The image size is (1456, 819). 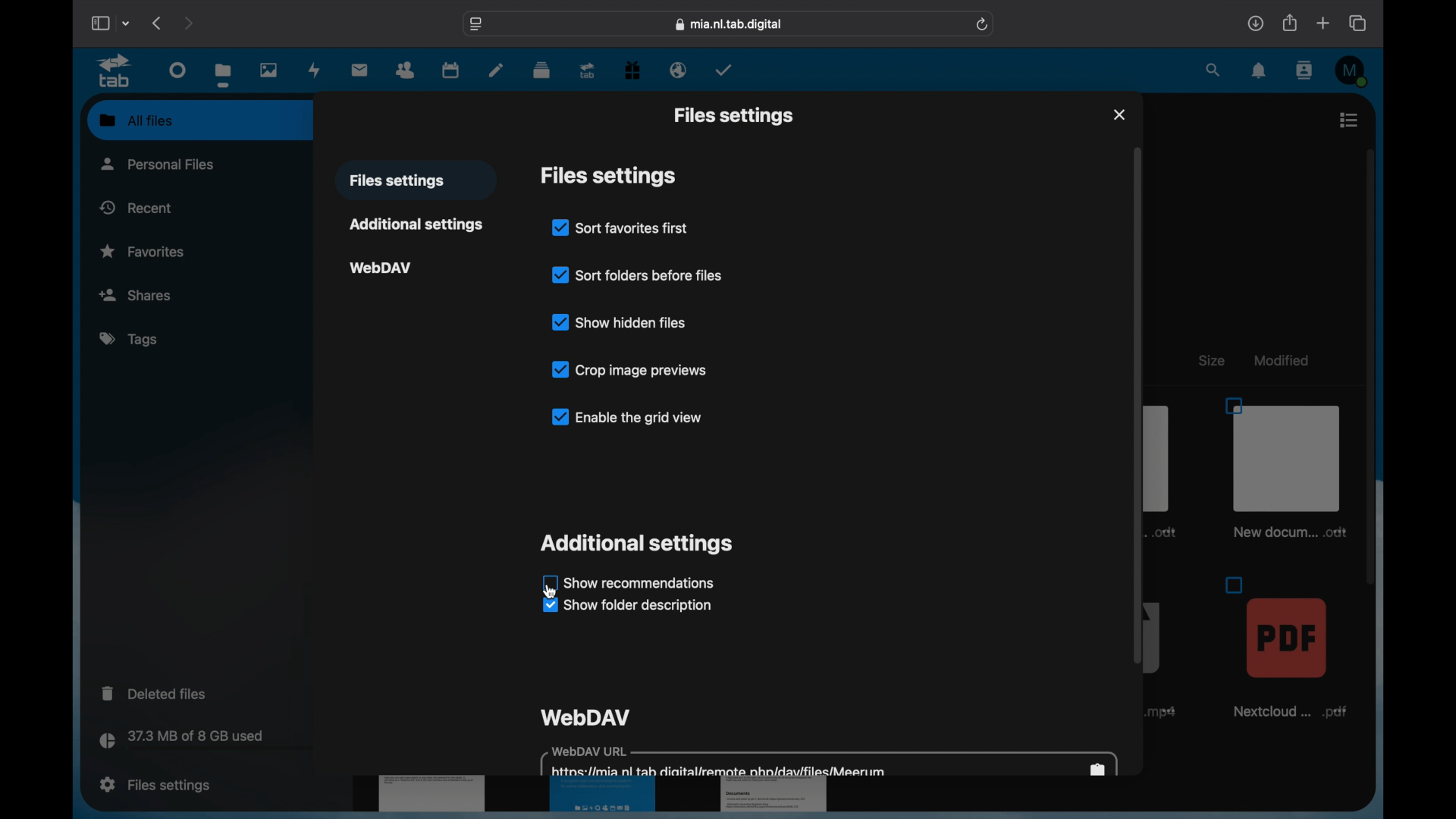 I want to click on M, so click(x=1352, y=72).